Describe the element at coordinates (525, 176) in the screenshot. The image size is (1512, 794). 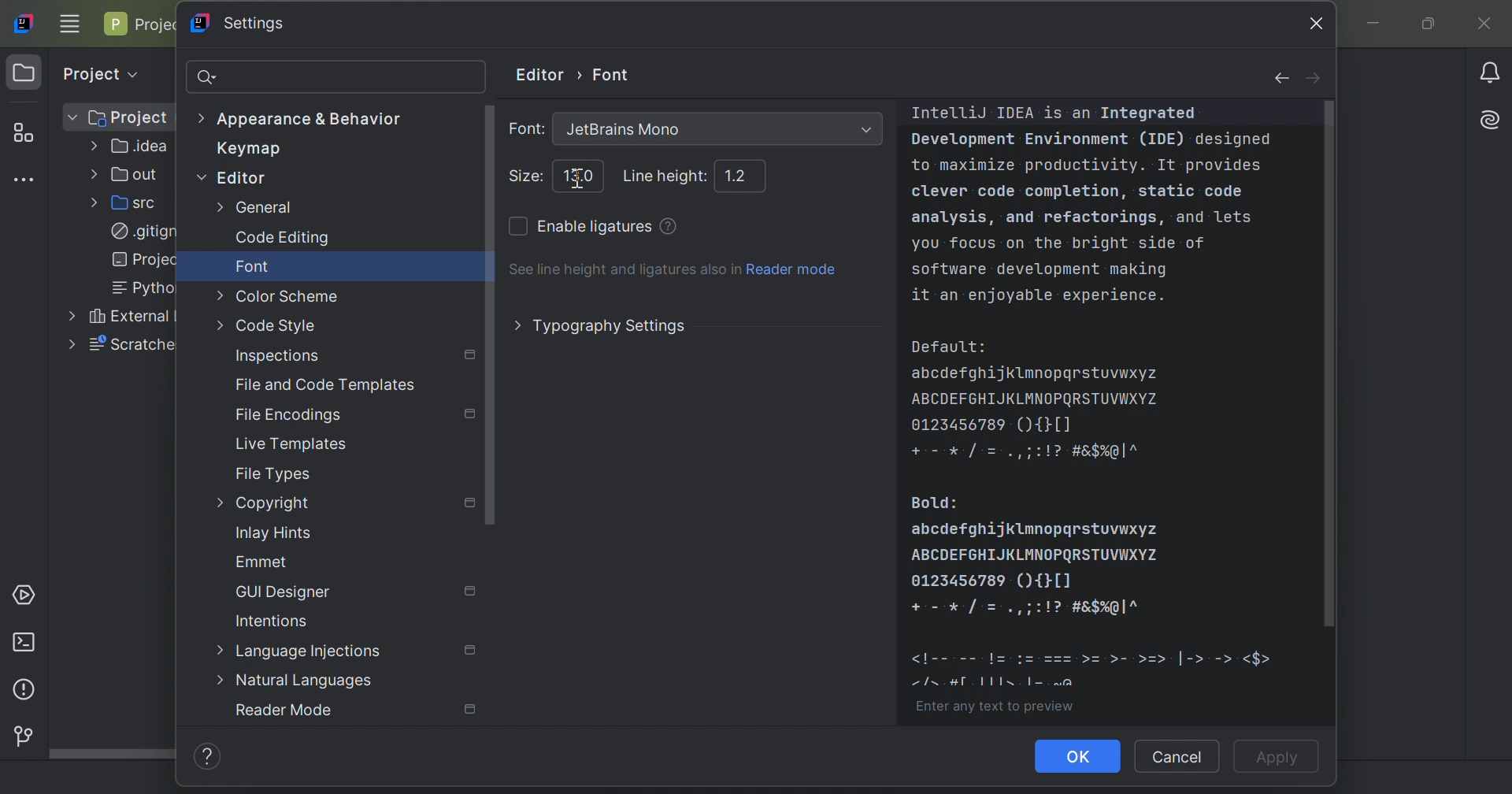
I see `Size` at that location.